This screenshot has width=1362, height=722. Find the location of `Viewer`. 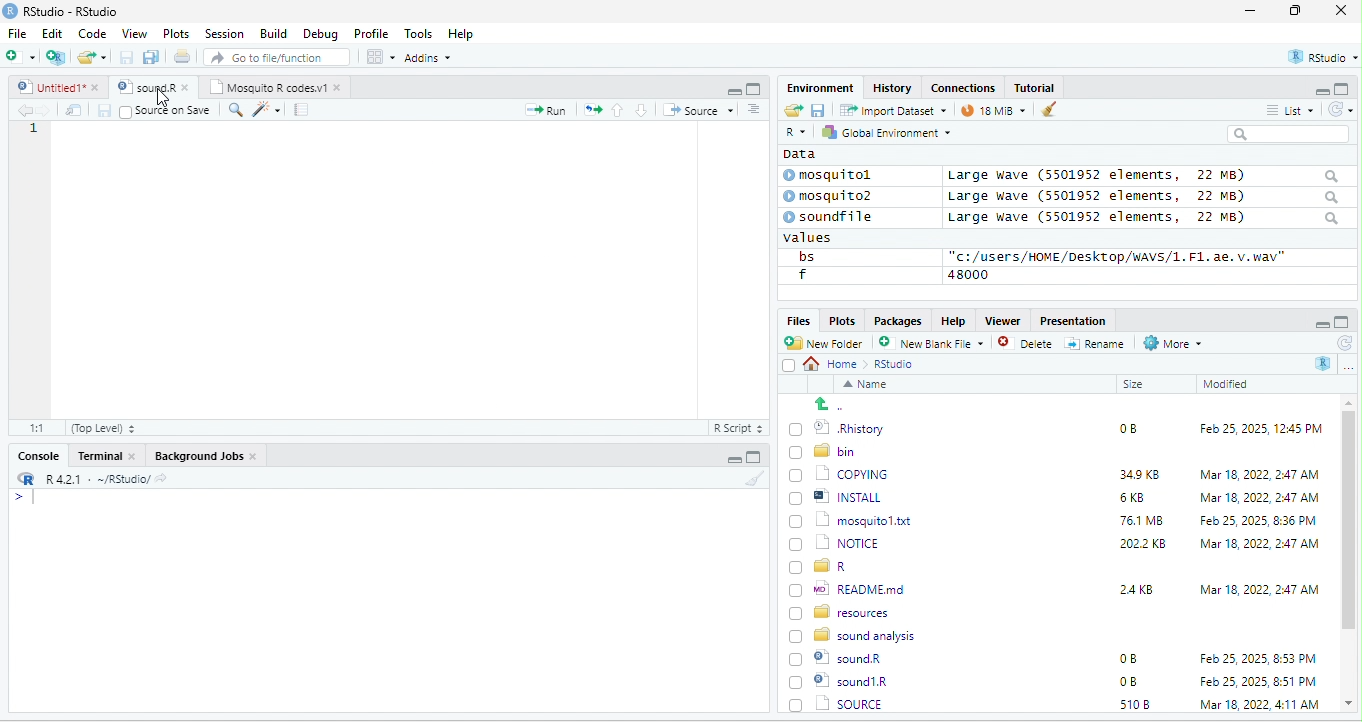

Viewer is located at coordinates (1000, 321).